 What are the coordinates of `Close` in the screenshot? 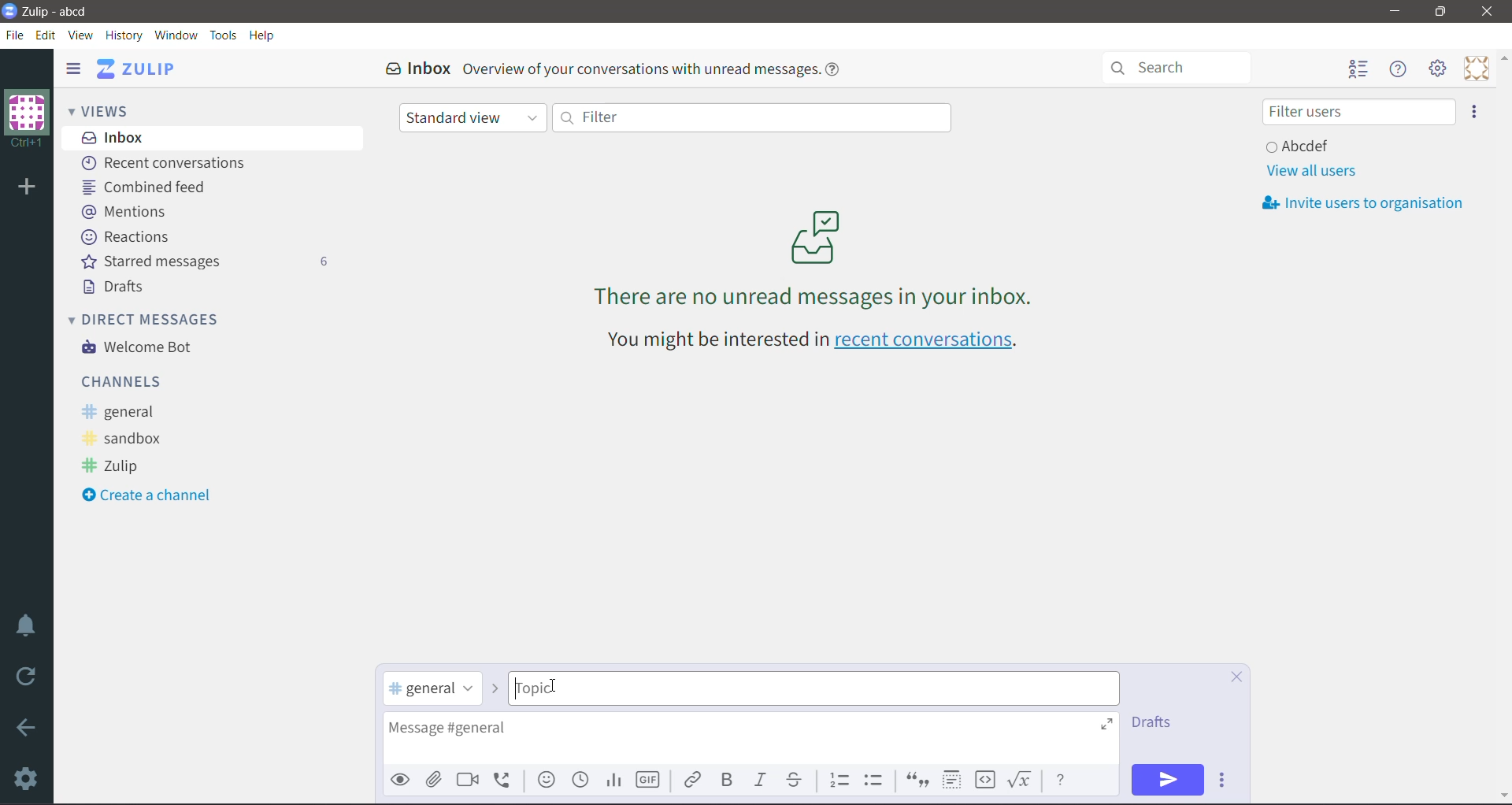 It's located at (1489, 12).